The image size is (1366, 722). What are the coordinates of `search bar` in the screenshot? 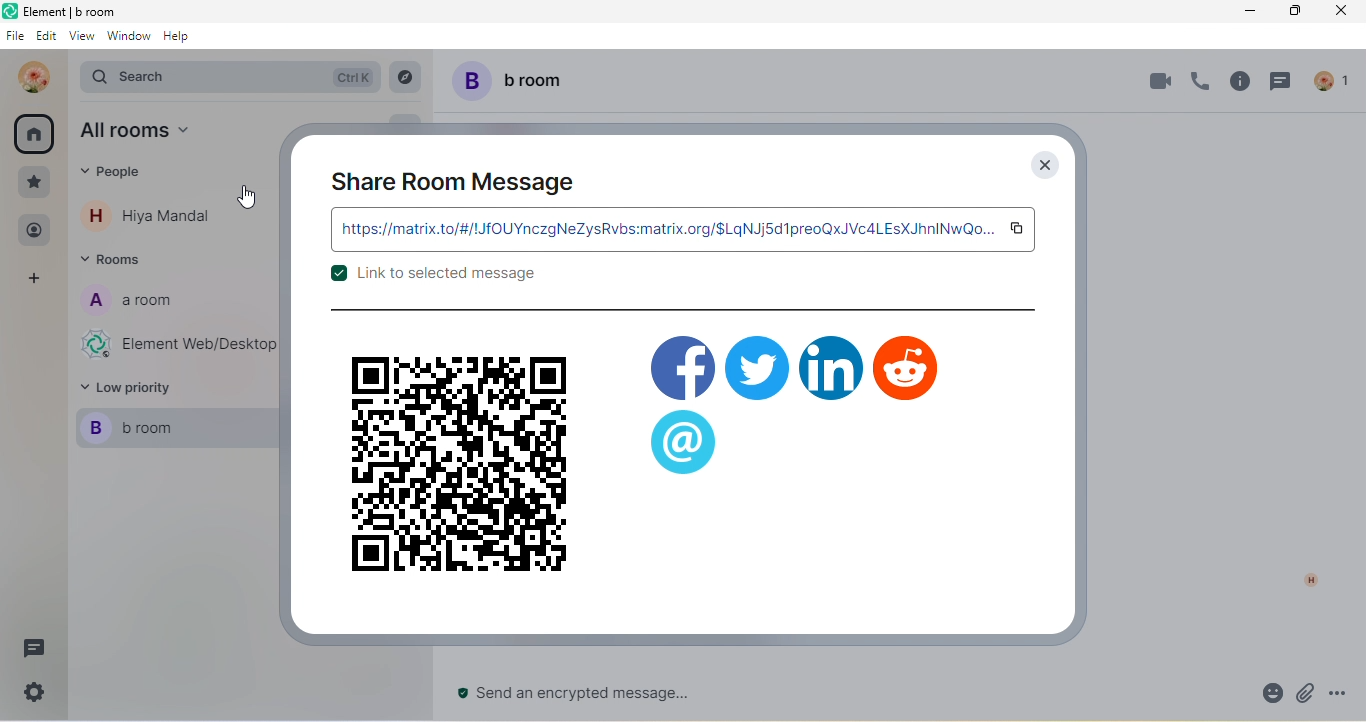 It's located at (228, 75).